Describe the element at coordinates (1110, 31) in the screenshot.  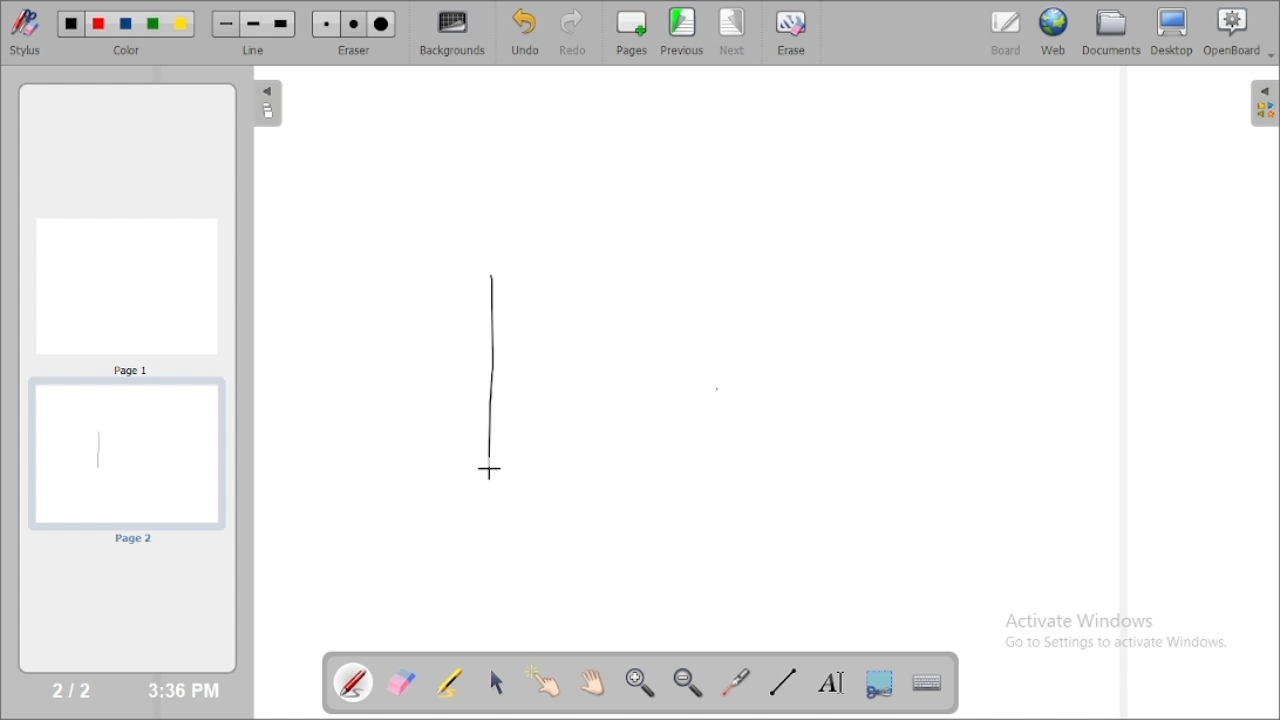
I see `documents` at that location.